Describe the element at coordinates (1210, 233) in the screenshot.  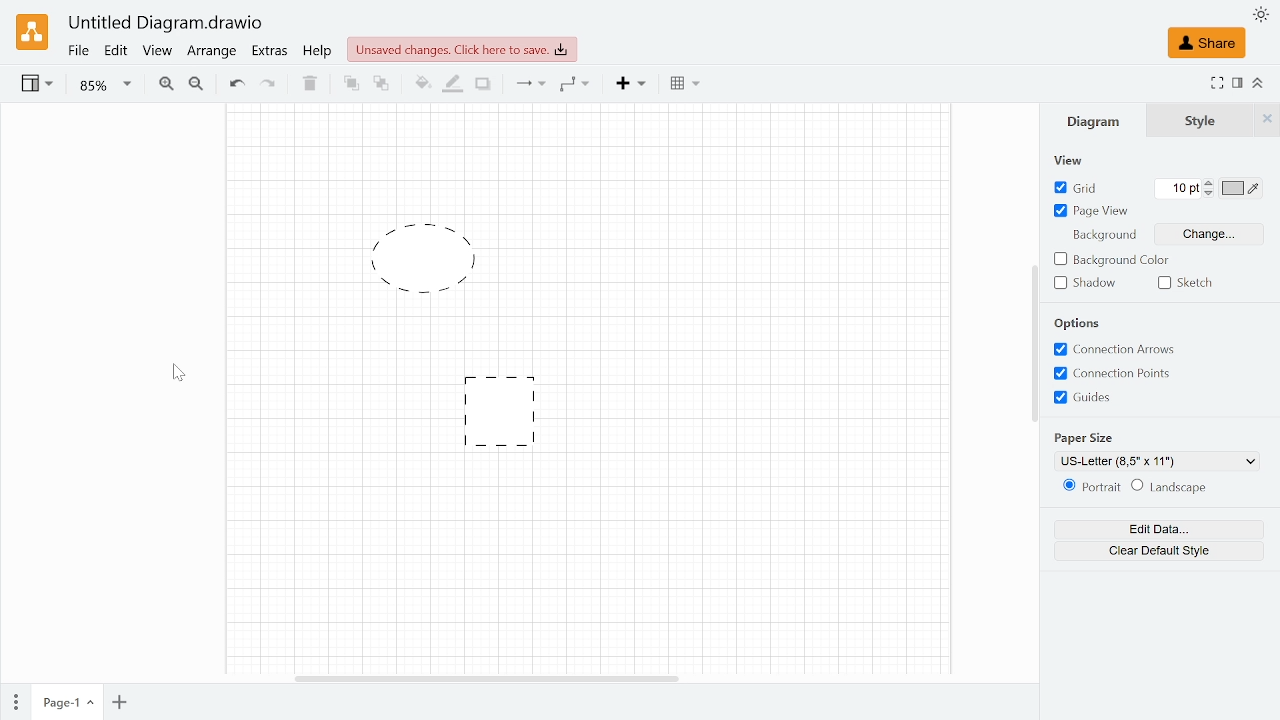
I see `Change` at that location.